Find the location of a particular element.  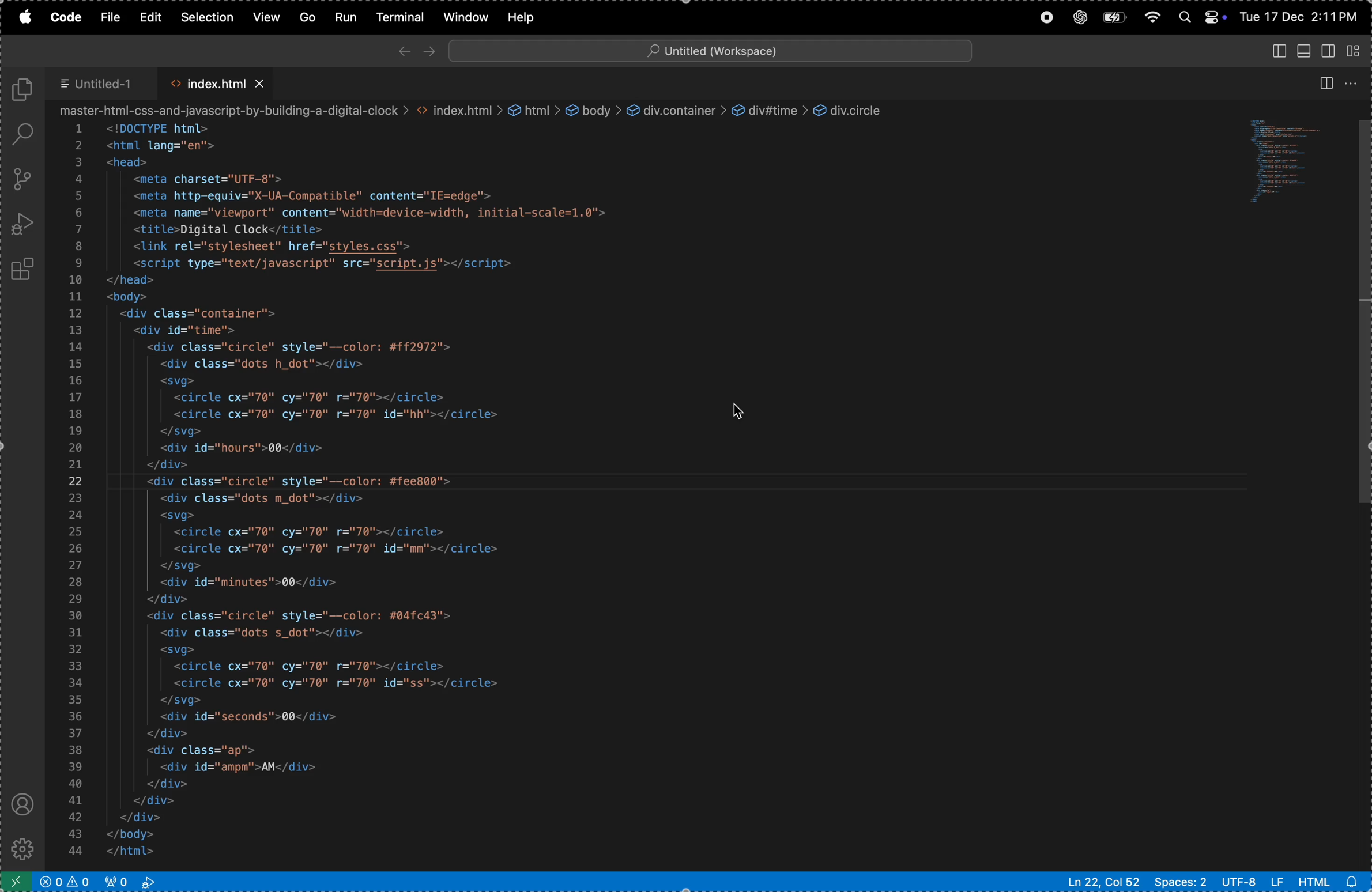

search bar is located at coordinates (736, 50).